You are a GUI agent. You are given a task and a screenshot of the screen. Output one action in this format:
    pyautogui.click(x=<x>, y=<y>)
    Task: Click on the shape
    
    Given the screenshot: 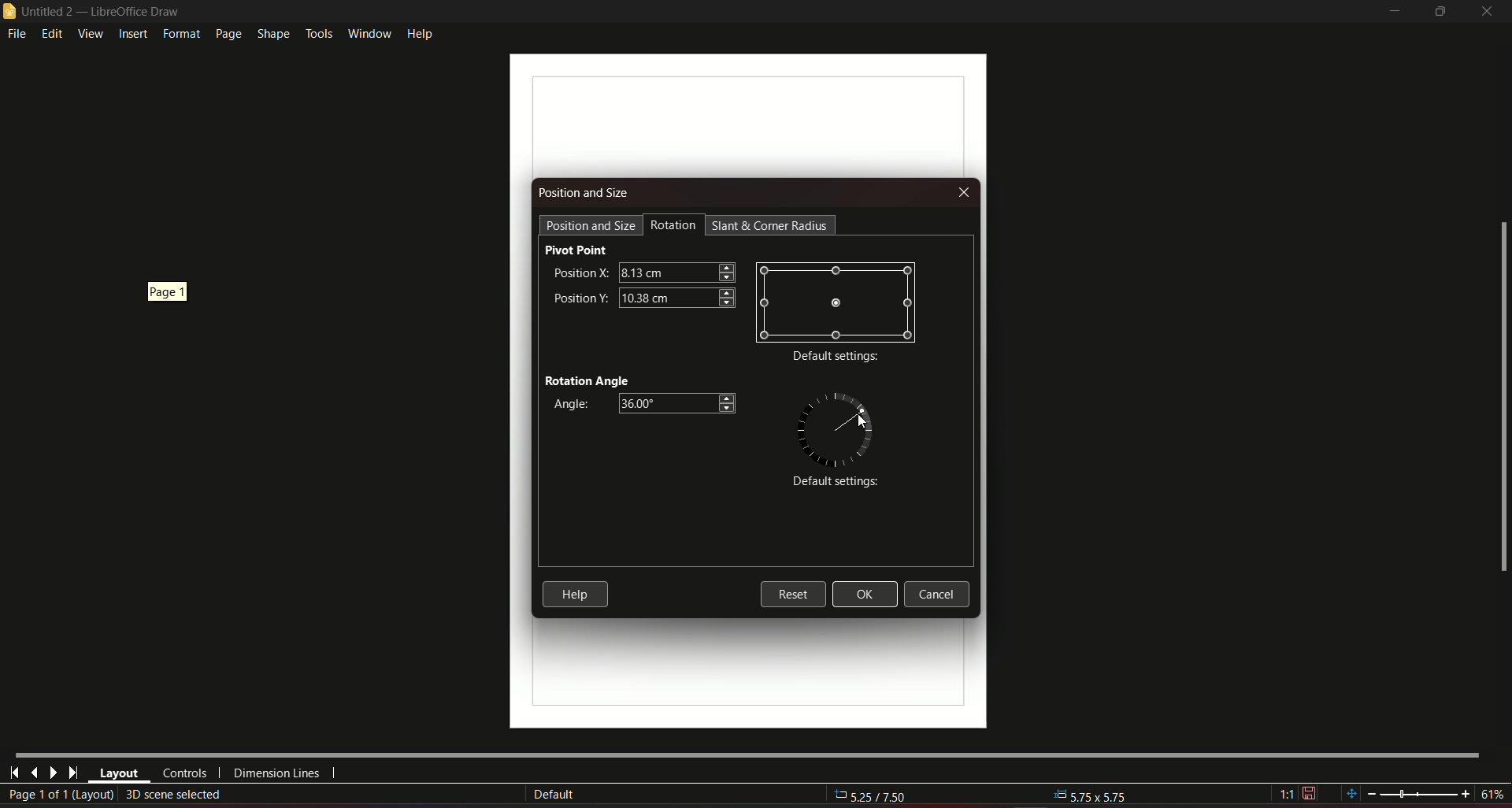 What is the action you would take?
    pyautogui.click(x=272, y=32)
    